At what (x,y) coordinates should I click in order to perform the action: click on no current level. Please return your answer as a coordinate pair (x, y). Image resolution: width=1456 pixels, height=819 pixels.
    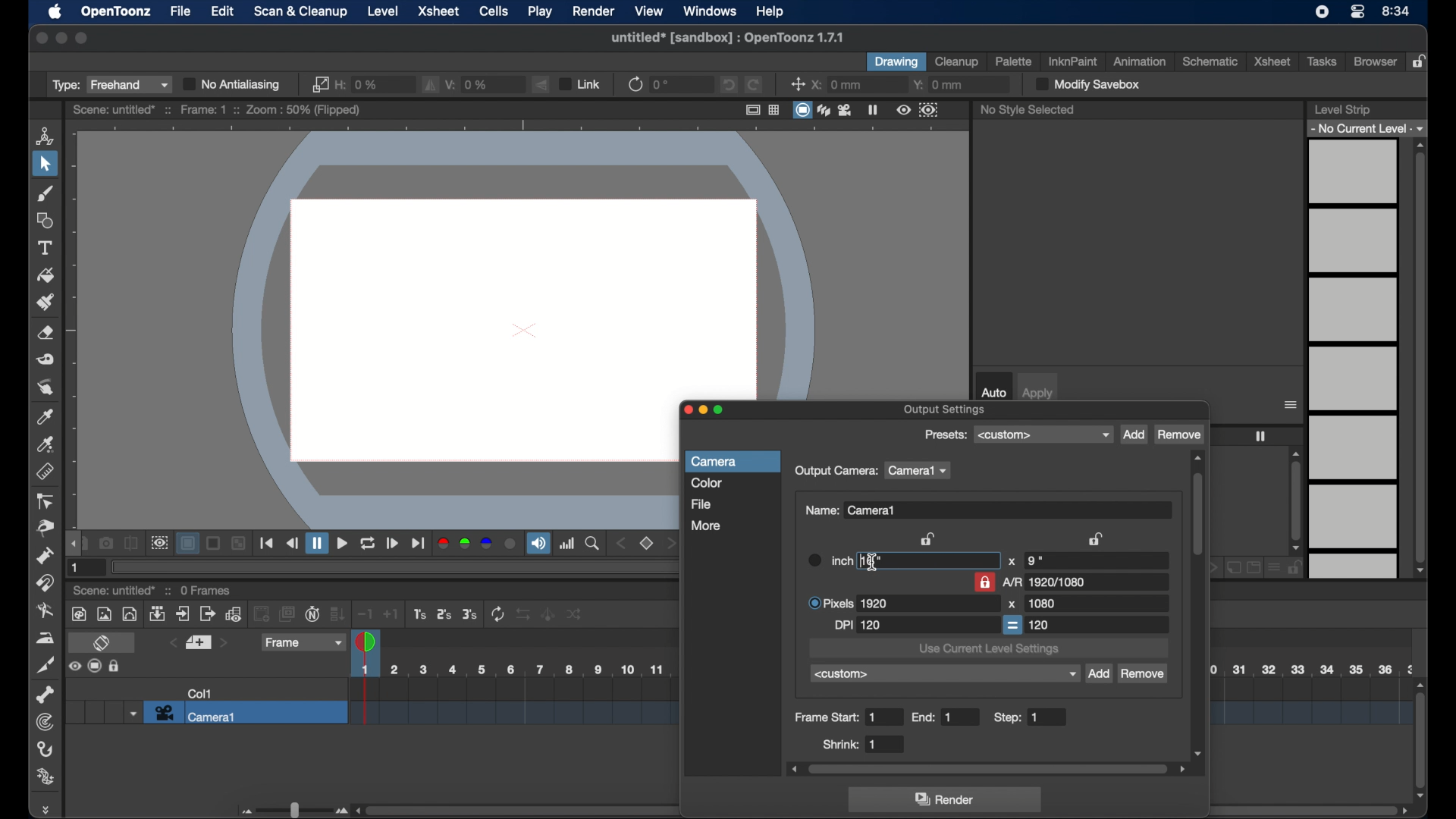
    Looking at the image, I should click on (1369, 127).